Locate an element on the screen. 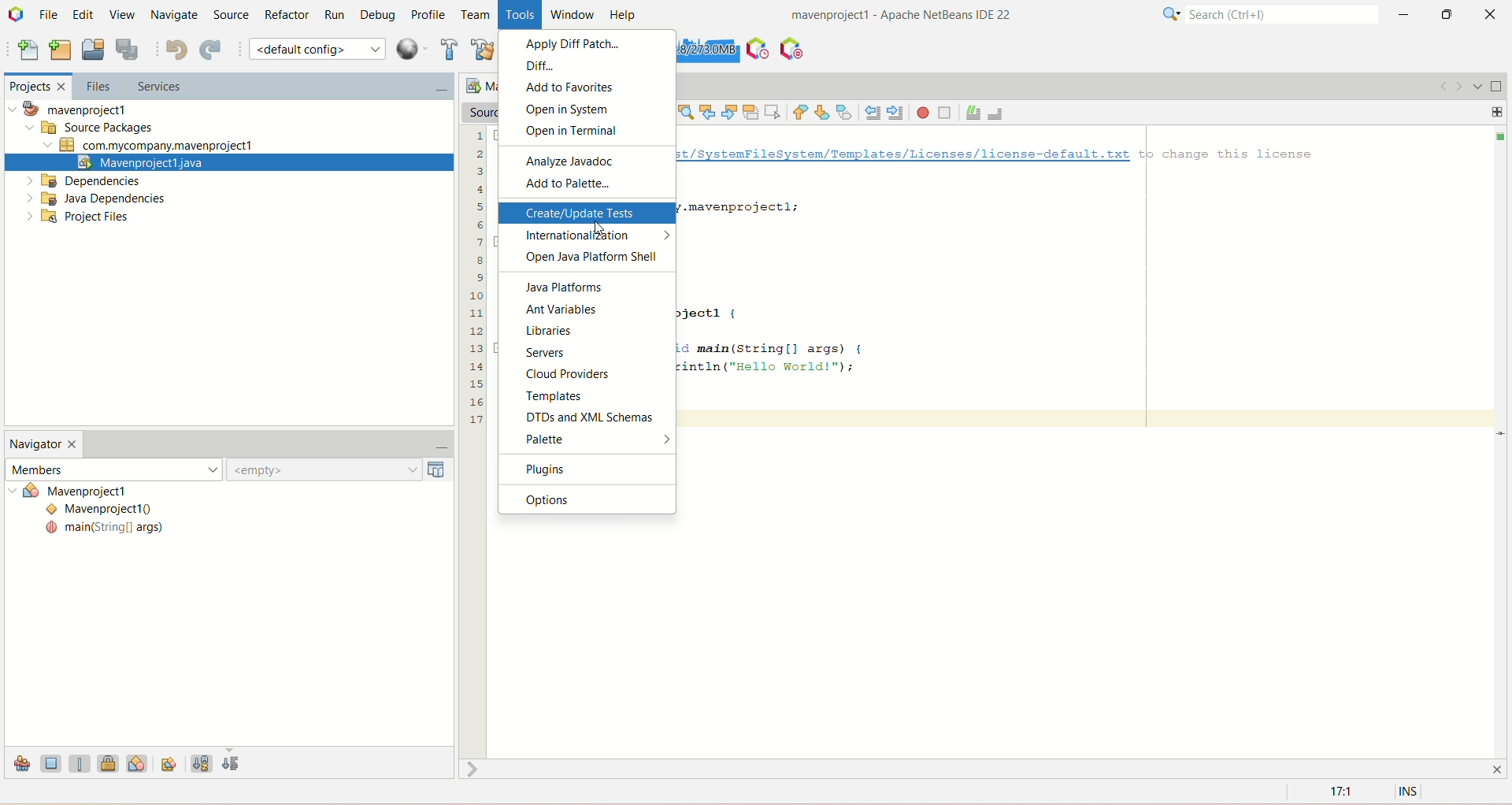 The width and height of the screenshot is (1512, 805). open java platform shell is located at coordinates (589, 258).